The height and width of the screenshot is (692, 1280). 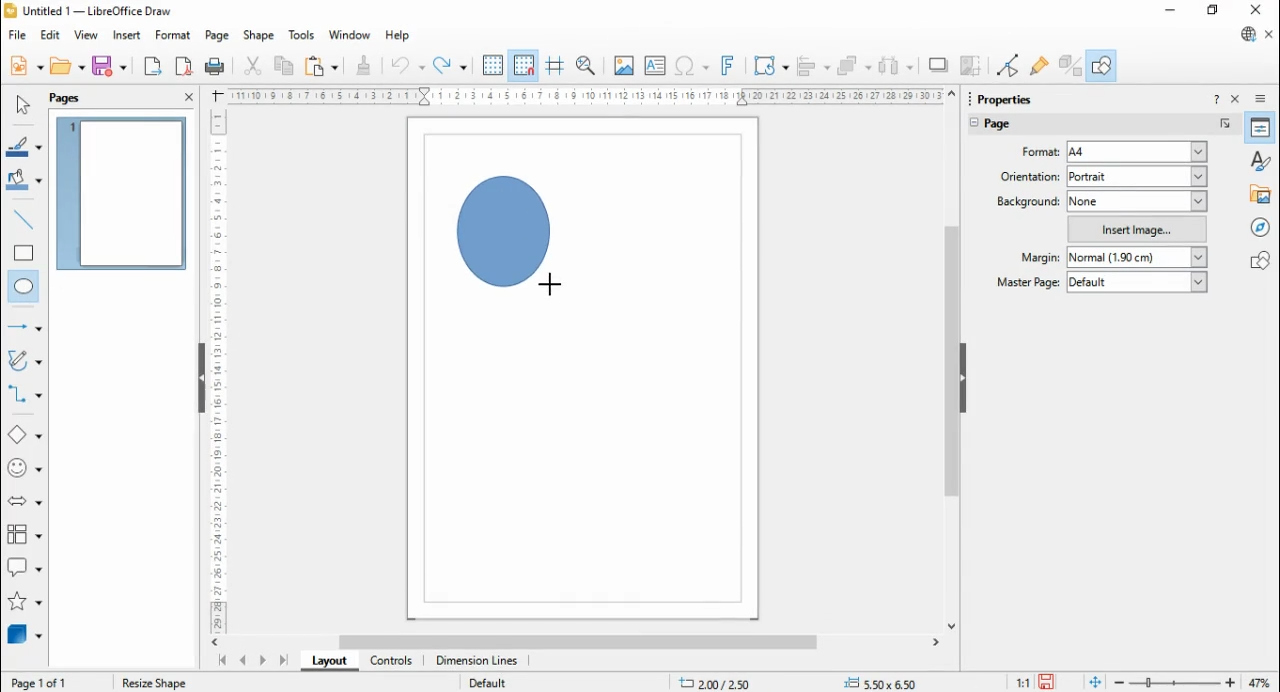 I want to click on pages panel, so click(x=79, y=98).